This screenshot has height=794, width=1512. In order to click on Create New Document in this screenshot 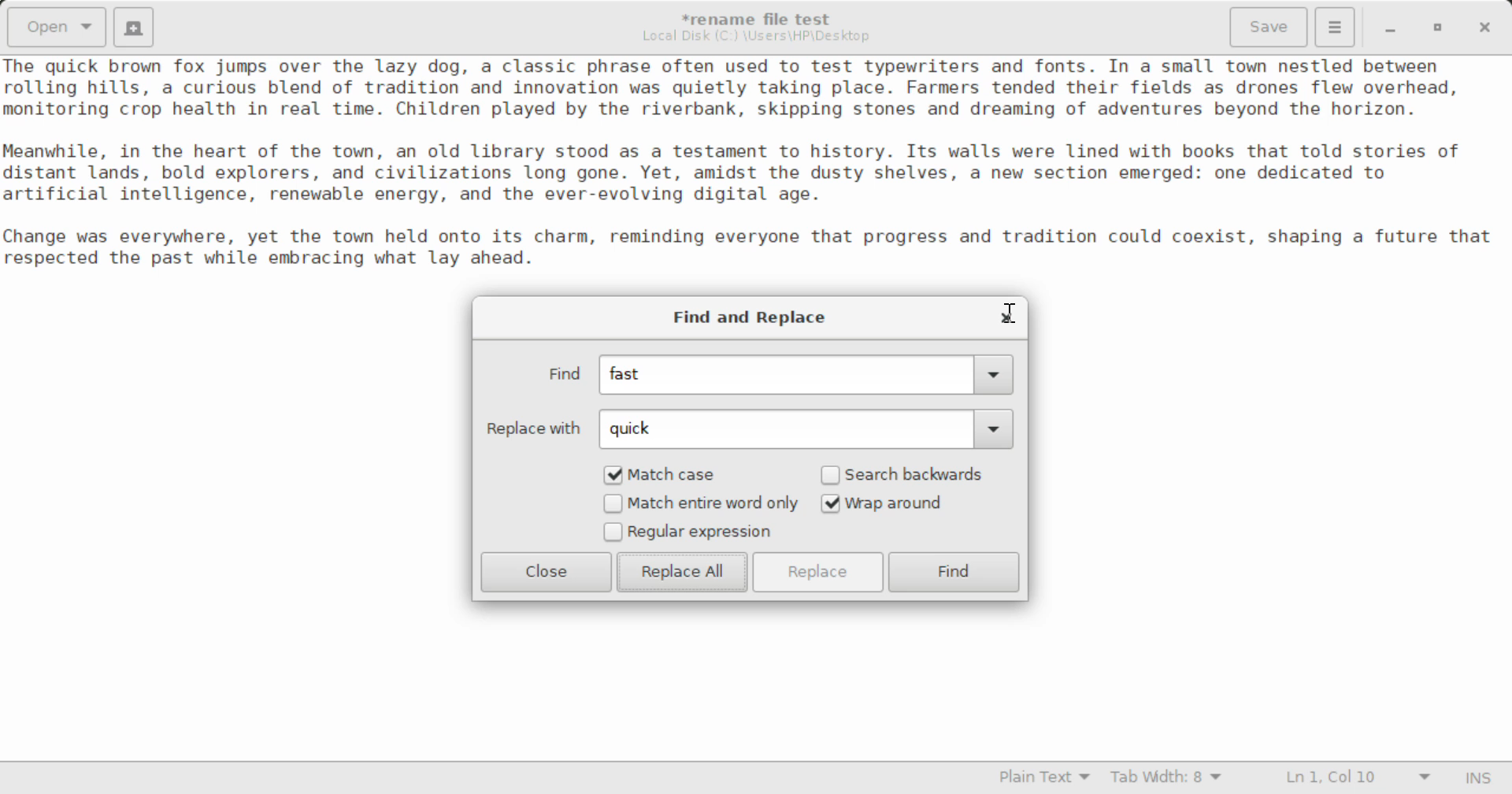, I will do `click(136, 27)`.